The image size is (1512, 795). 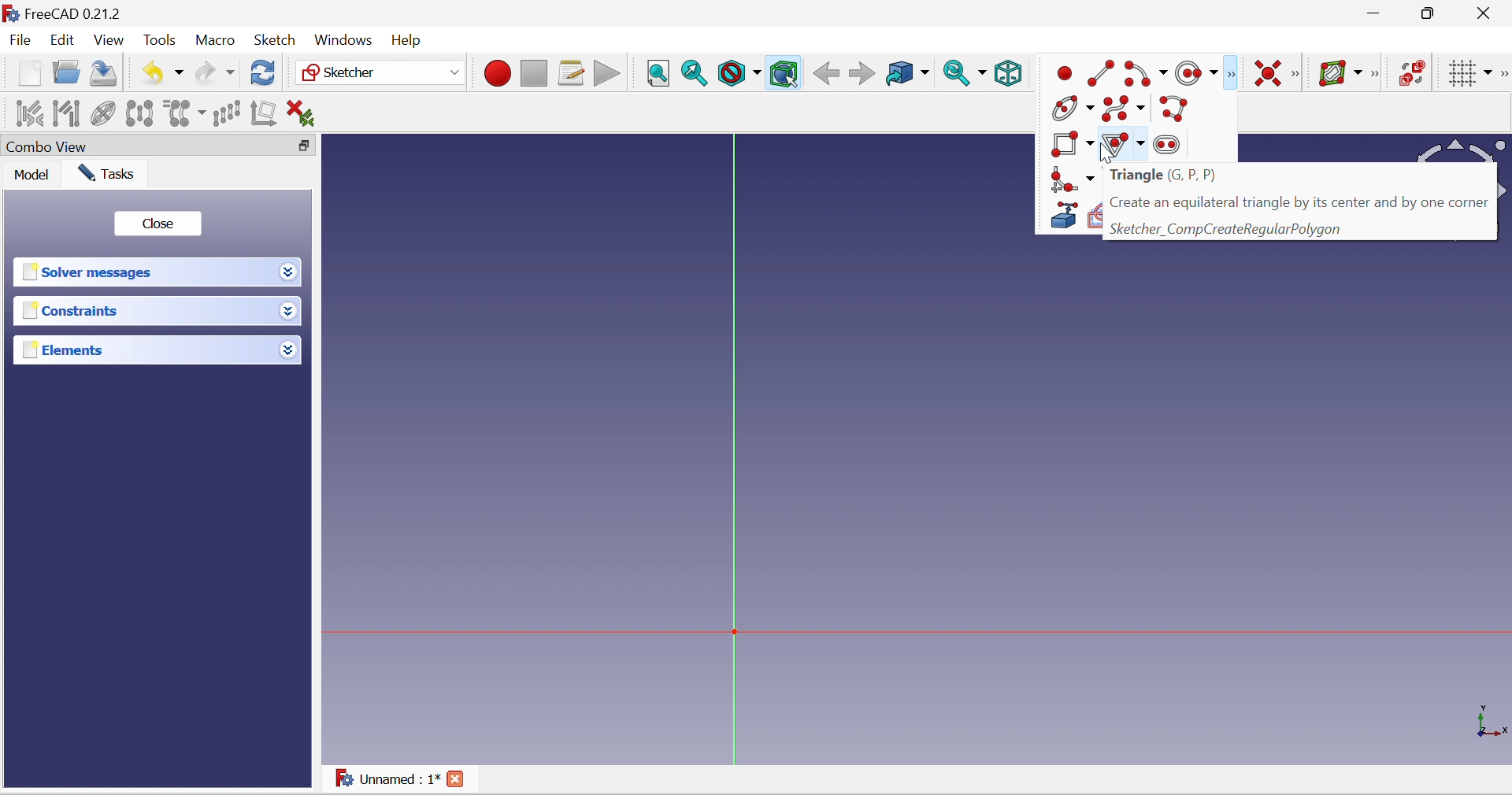 What do you see at coordinates (827, 74) in the screenshot?
I see `Back` at bounding box center [827, 74].